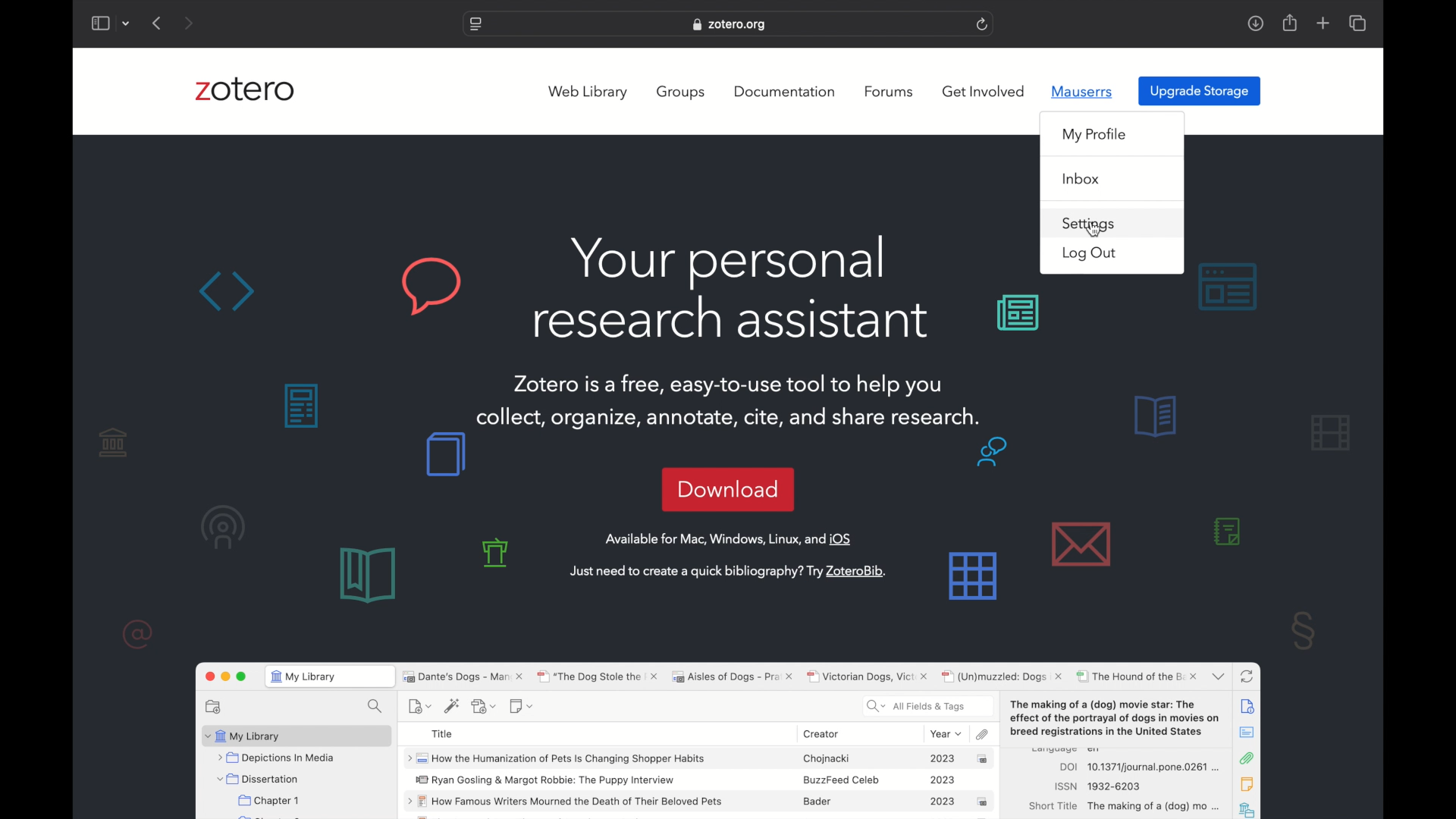  What do you see at coordinates (158, 23) in the screenshot?
I see `previous` at bounding box center [158, 23].